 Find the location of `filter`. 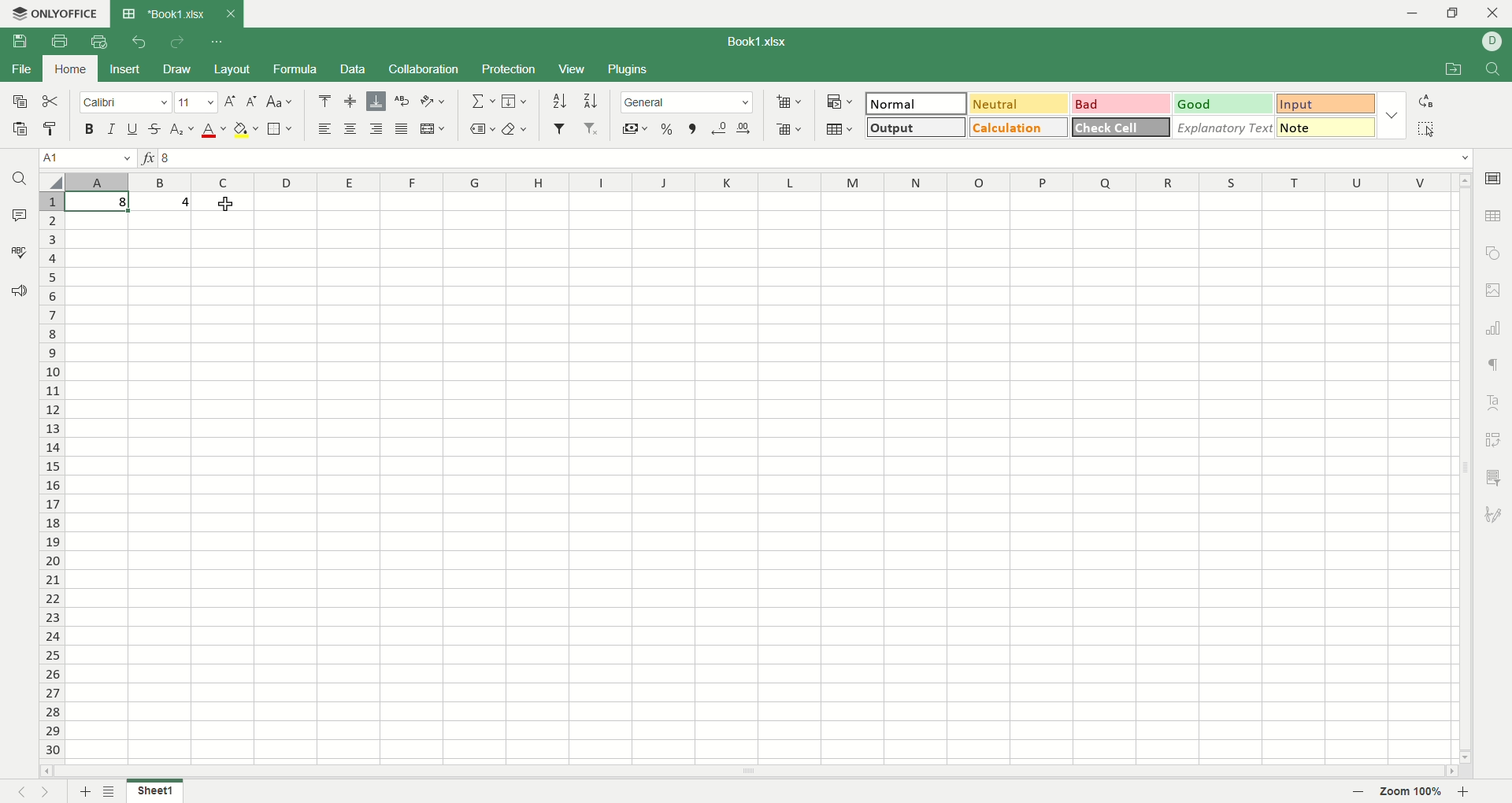

filter is located at coordinates (560, 128).